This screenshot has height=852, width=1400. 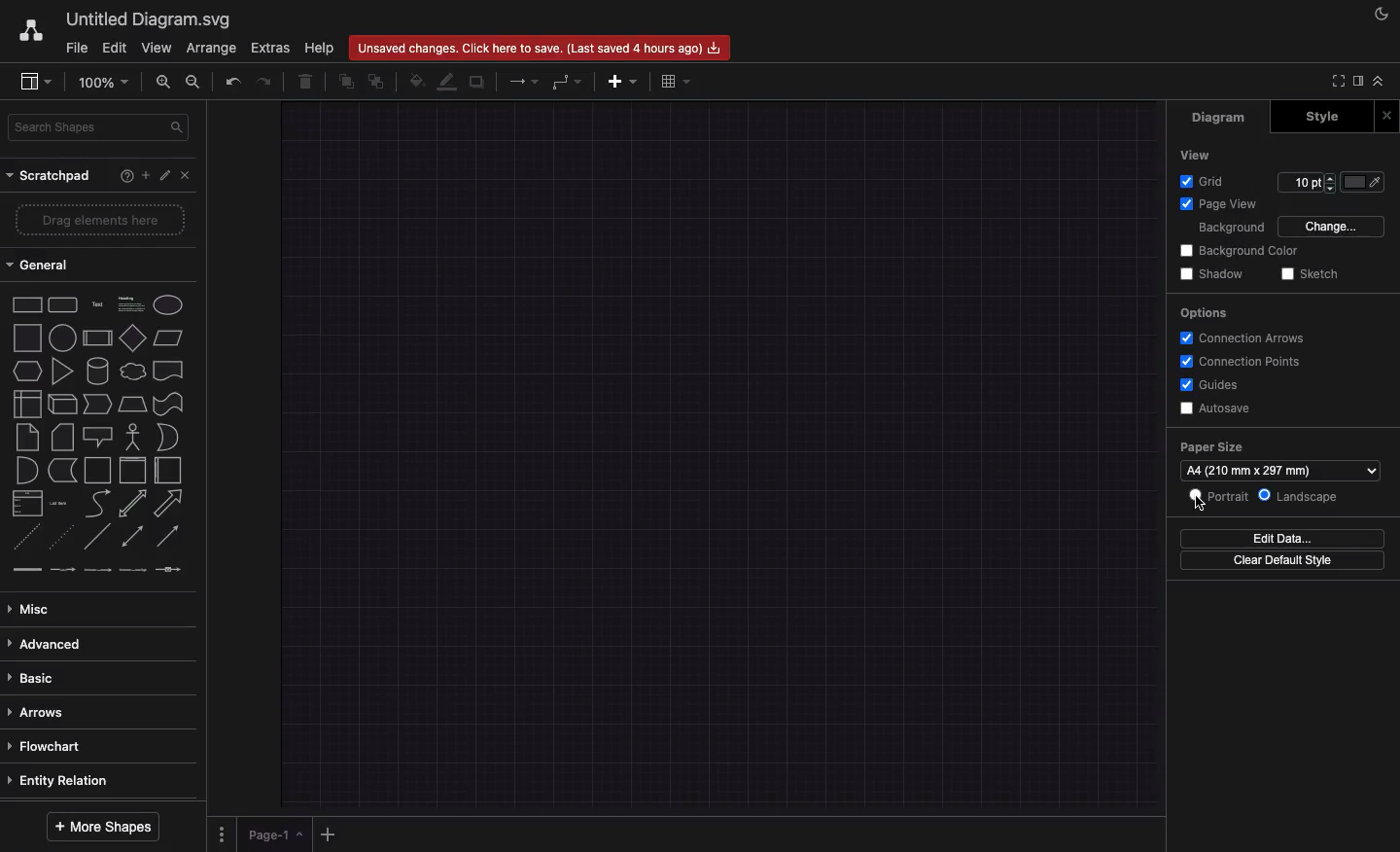 What do you see at coordinates (418, 82) in the screenshot?
I see `Fill color` at bounding box center [418, 82].